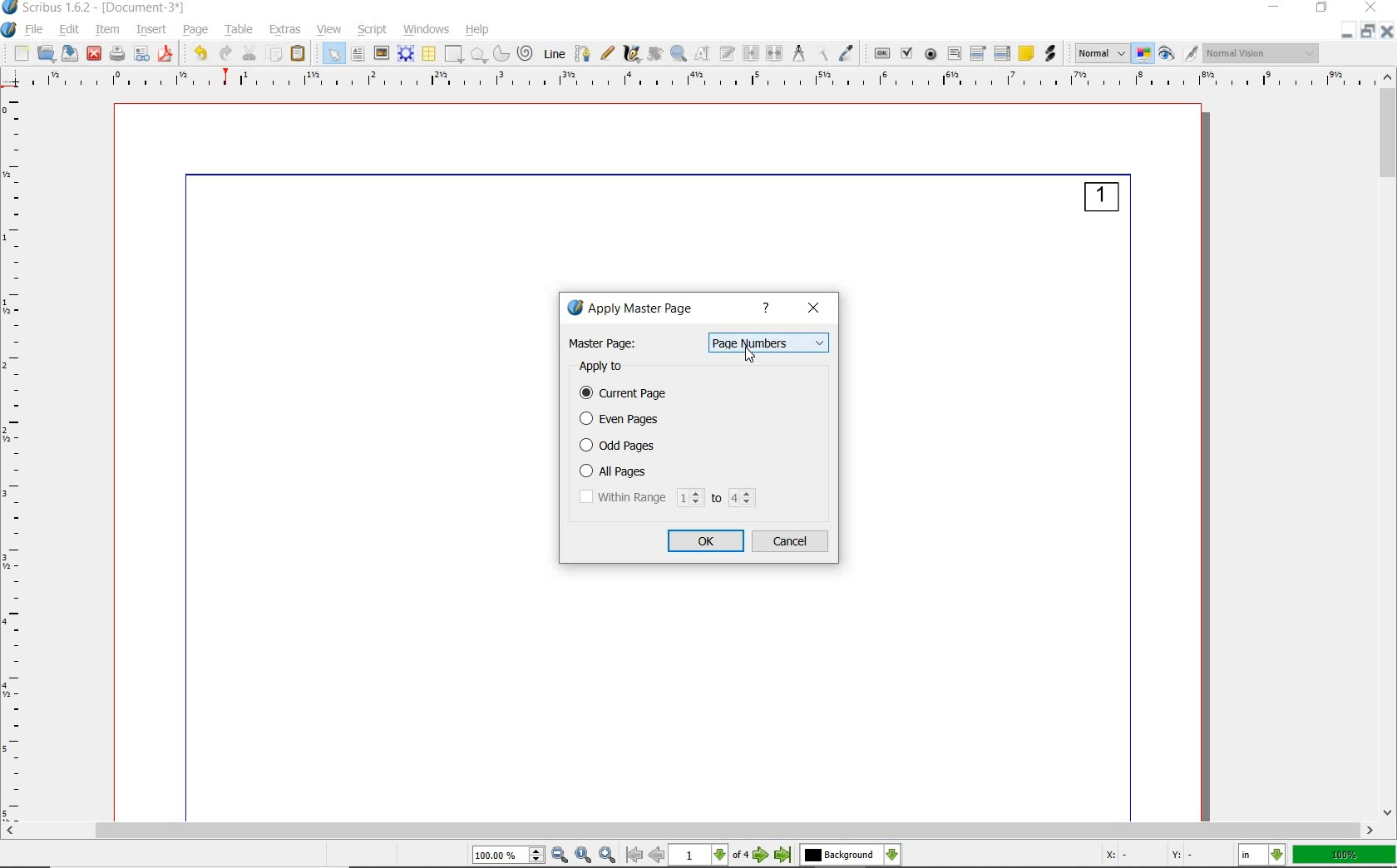  Describe the element at coordinates (1004, 53) in the screenshot. I see `pdf list box` at that location.